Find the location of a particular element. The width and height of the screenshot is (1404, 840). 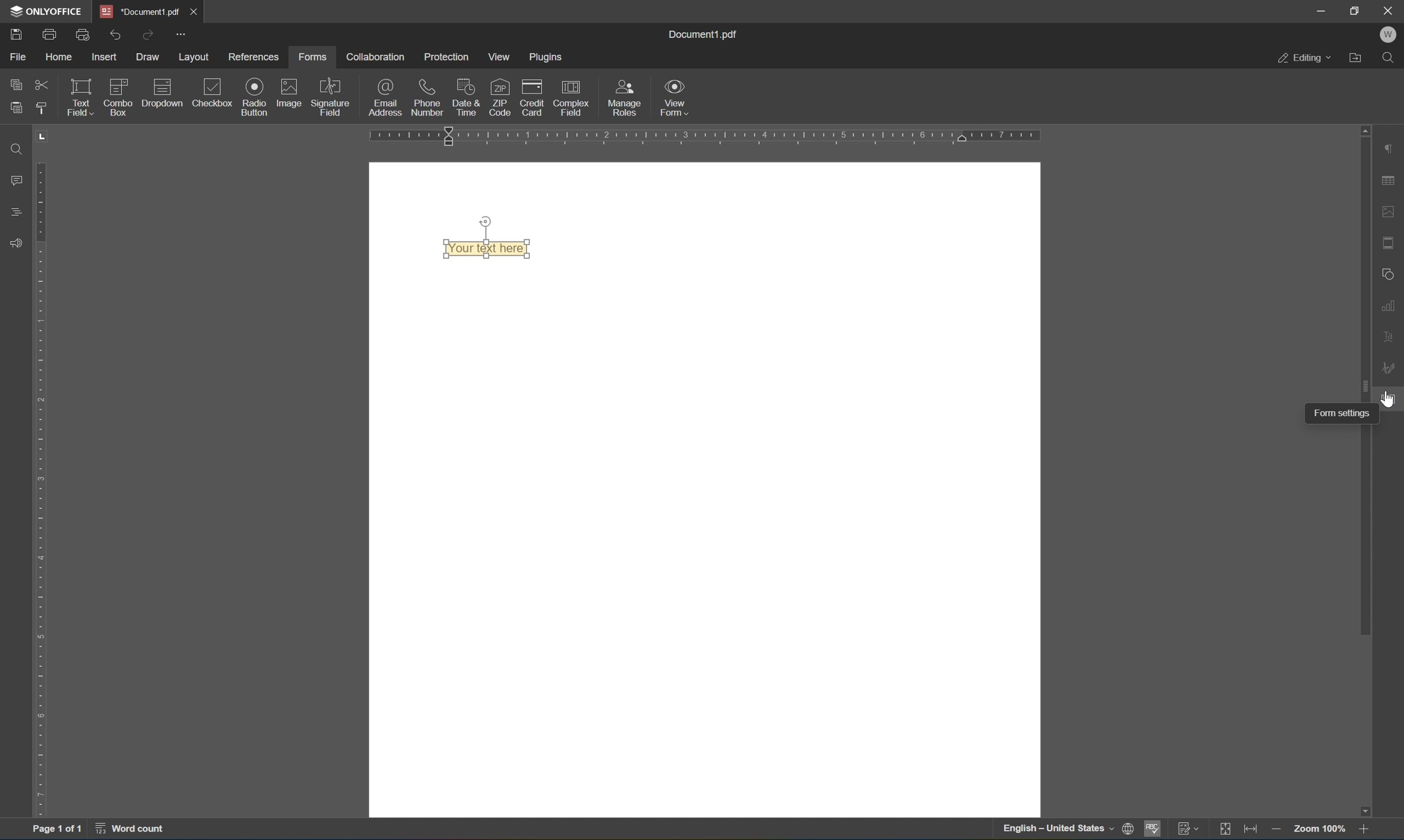

image settings is located at coordinates (1389, 212).